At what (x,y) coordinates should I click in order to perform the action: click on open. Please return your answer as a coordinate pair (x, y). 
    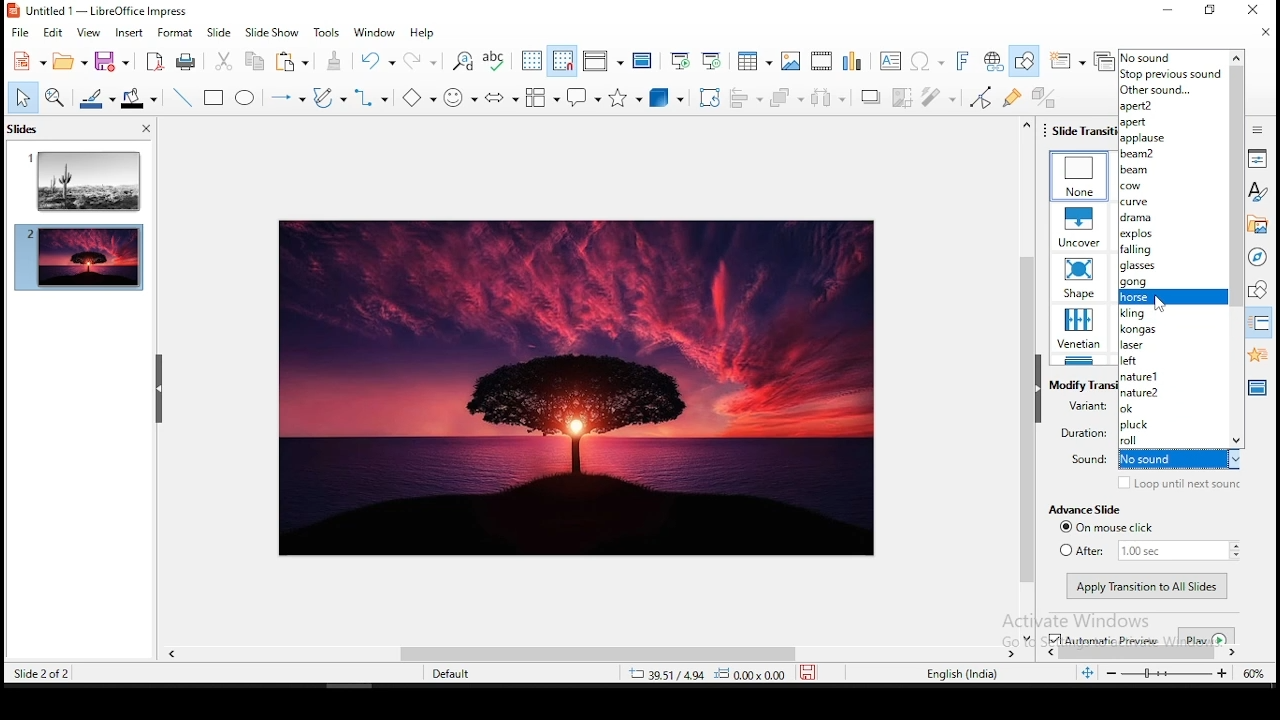
    Looking at the image, I should click on (70, 61).